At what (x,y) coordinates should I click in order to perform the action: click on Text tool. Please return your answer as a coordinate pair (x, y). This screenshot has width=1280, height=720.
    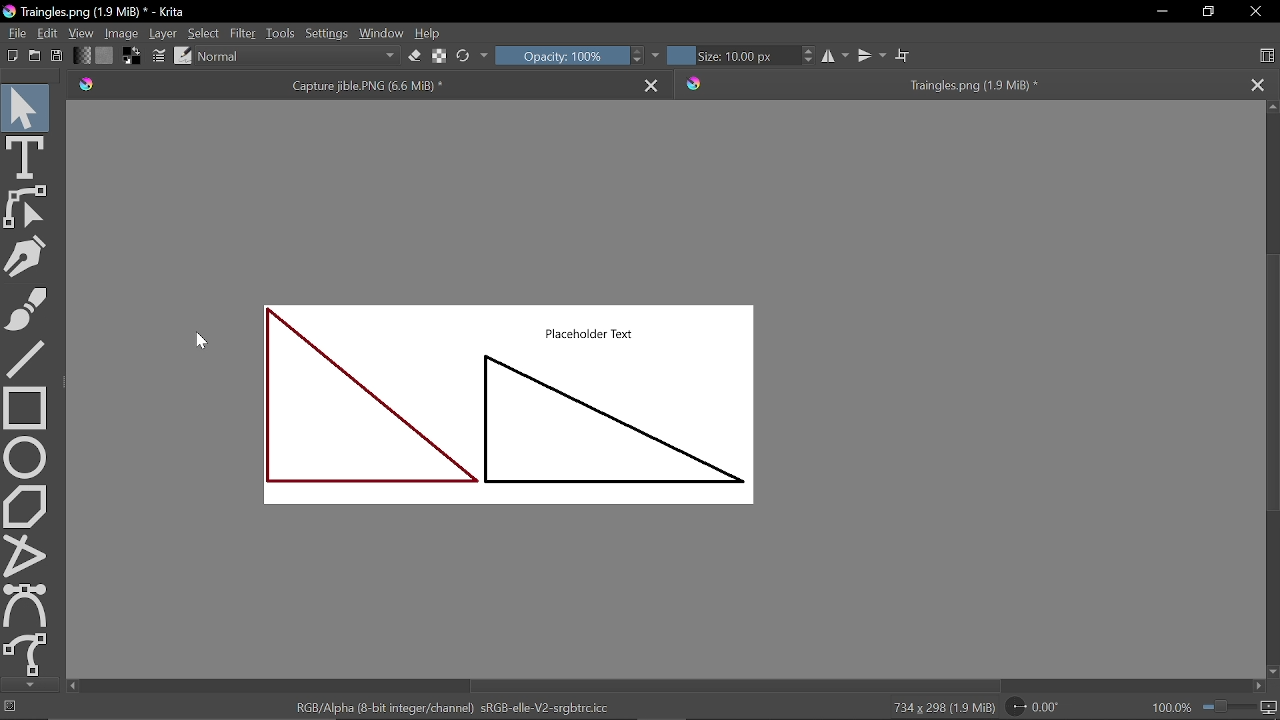
    Looking at the image, I should click on (26, 156).